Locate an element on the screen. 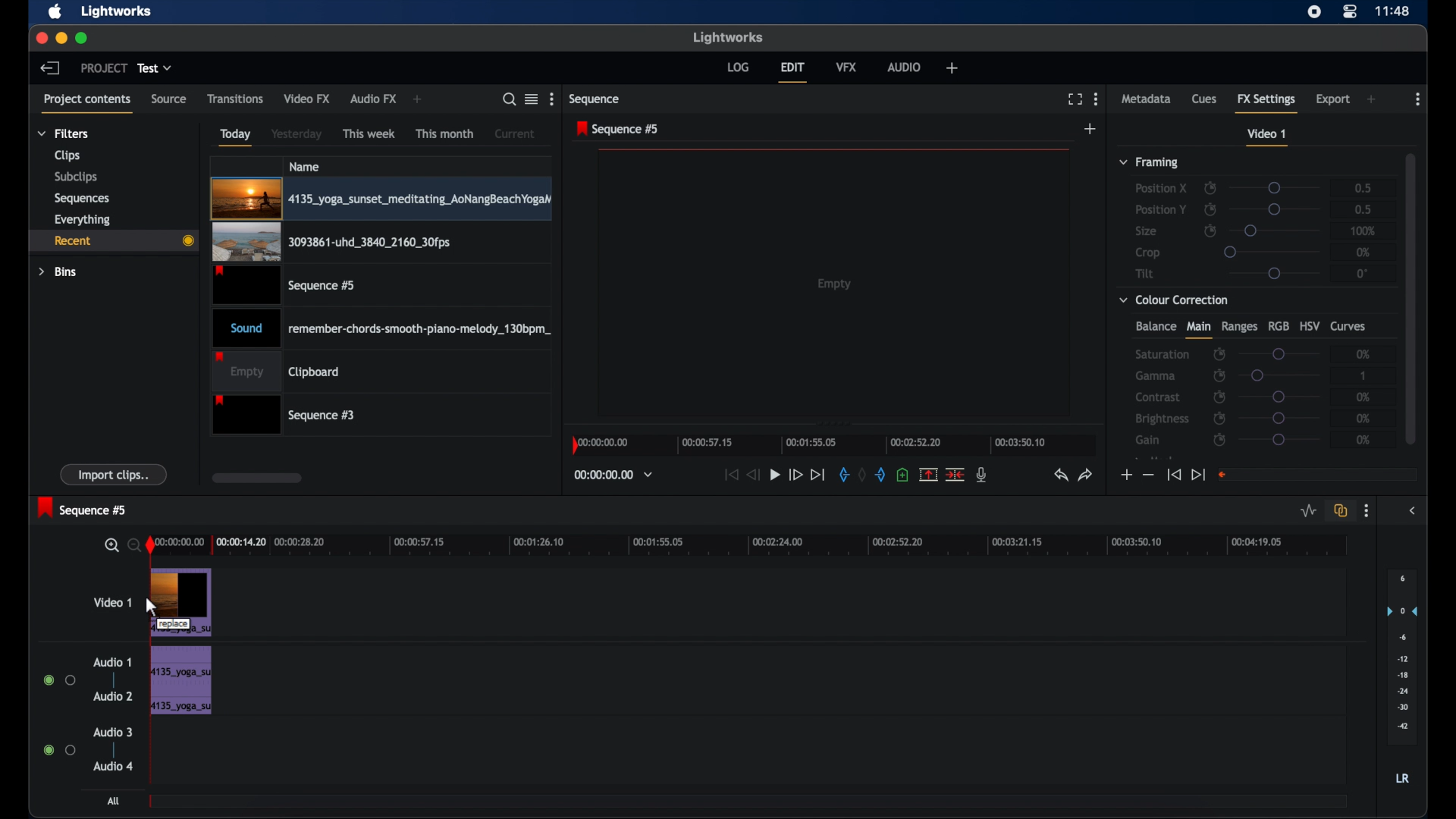  audio fx is located at coordinates (373, 99).